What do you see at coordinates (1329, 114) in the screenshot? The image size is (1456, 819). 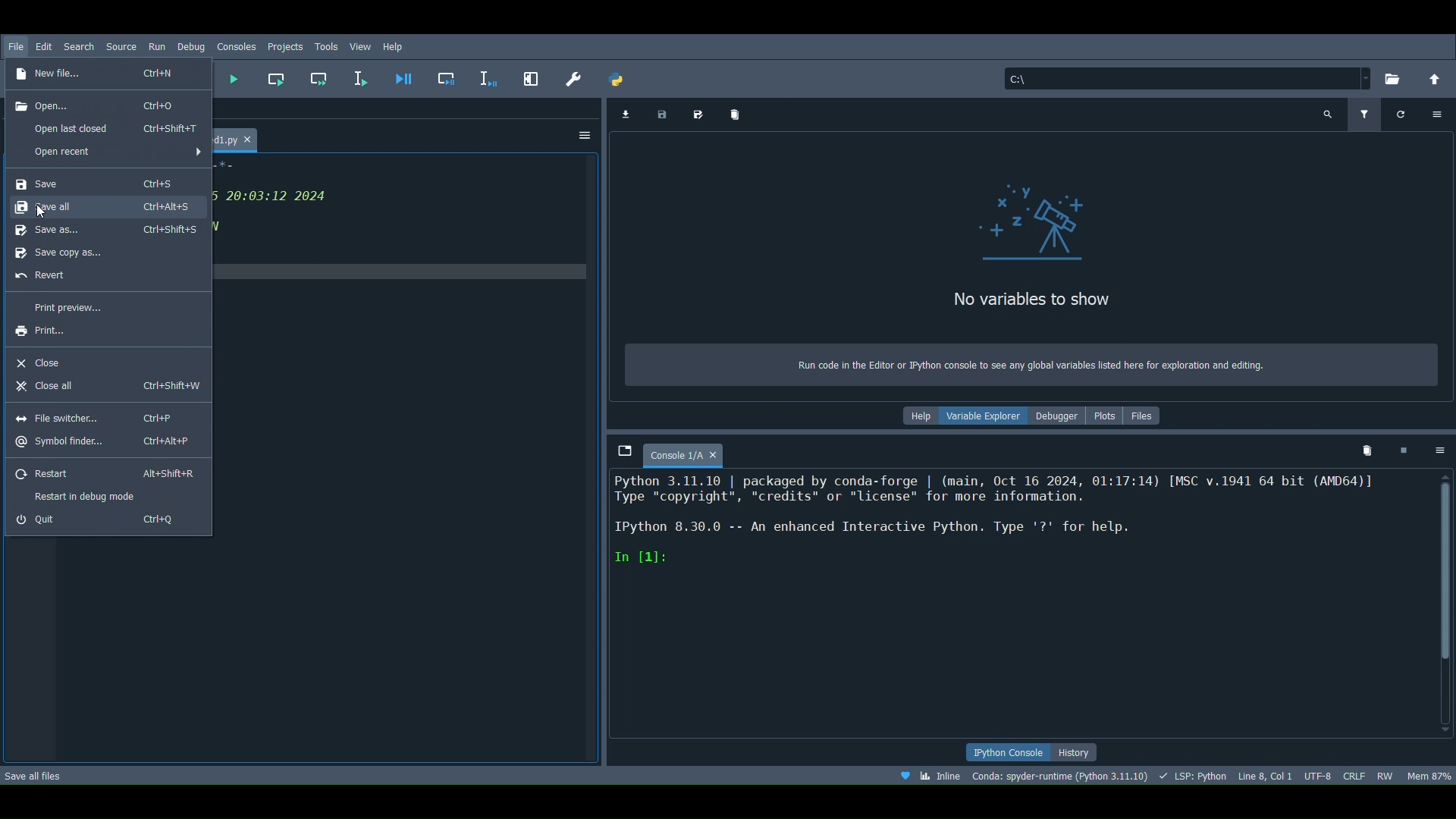 I see `Search variable names and types (Ctrl + F)` at bounding box center [1329, 114].